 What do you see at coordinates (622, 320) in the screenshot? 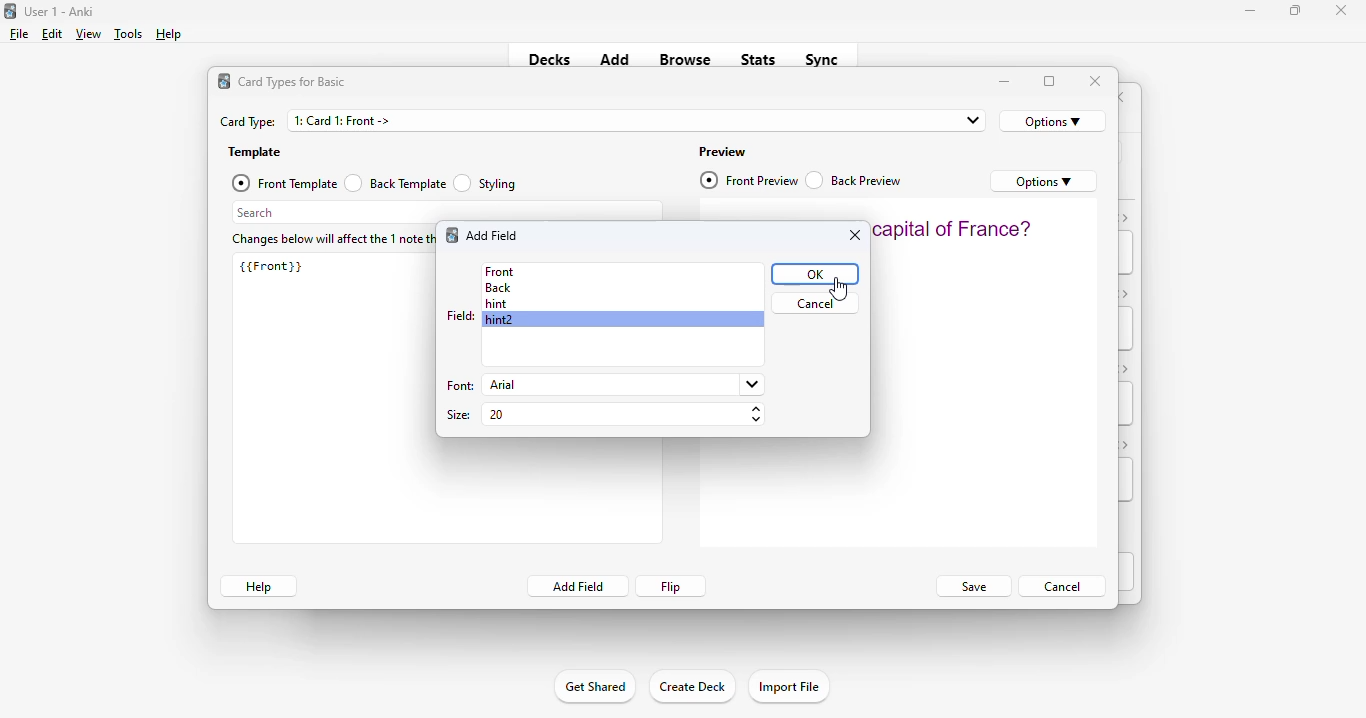
I see `hint2 selected` at bounding box center [622, 320].